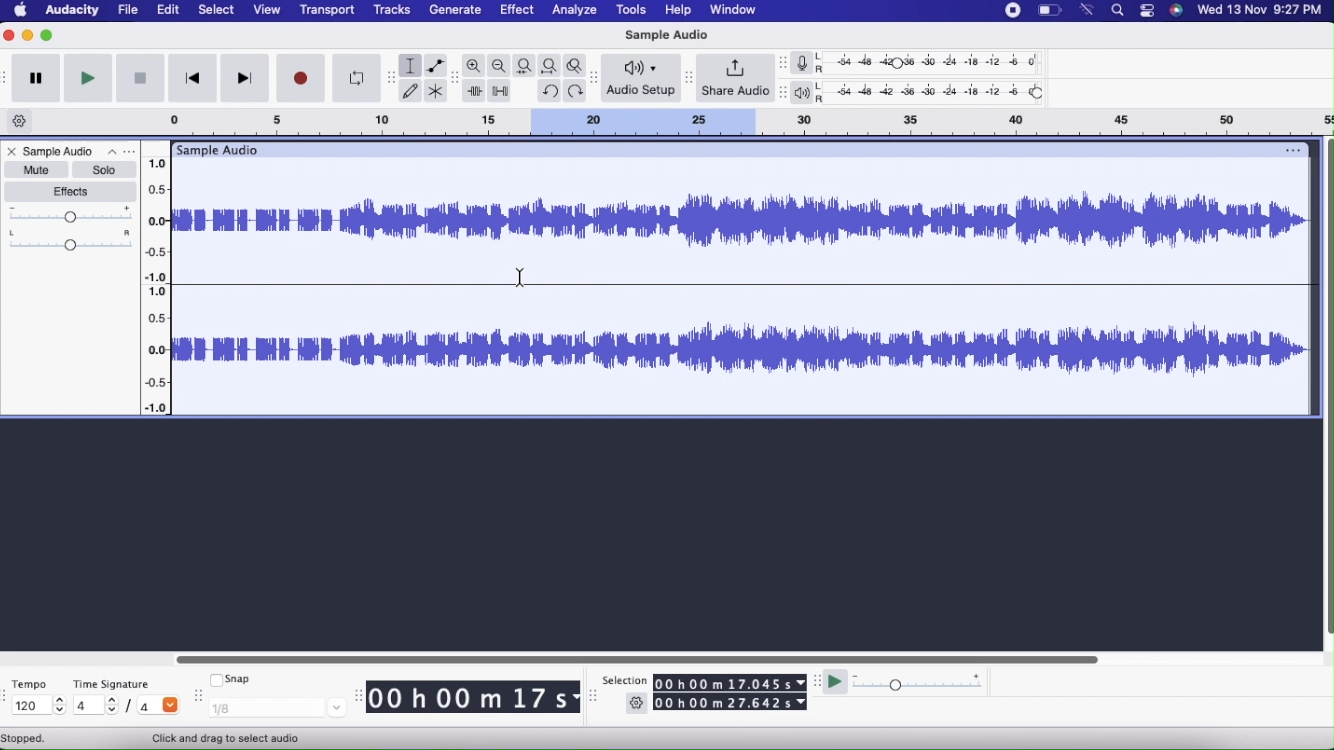 This screenshot has height=750, width=1334. What do you see at coordinates (937, 65) in the screenshot?
I see `Recording level` at bounding box center [937, 65].